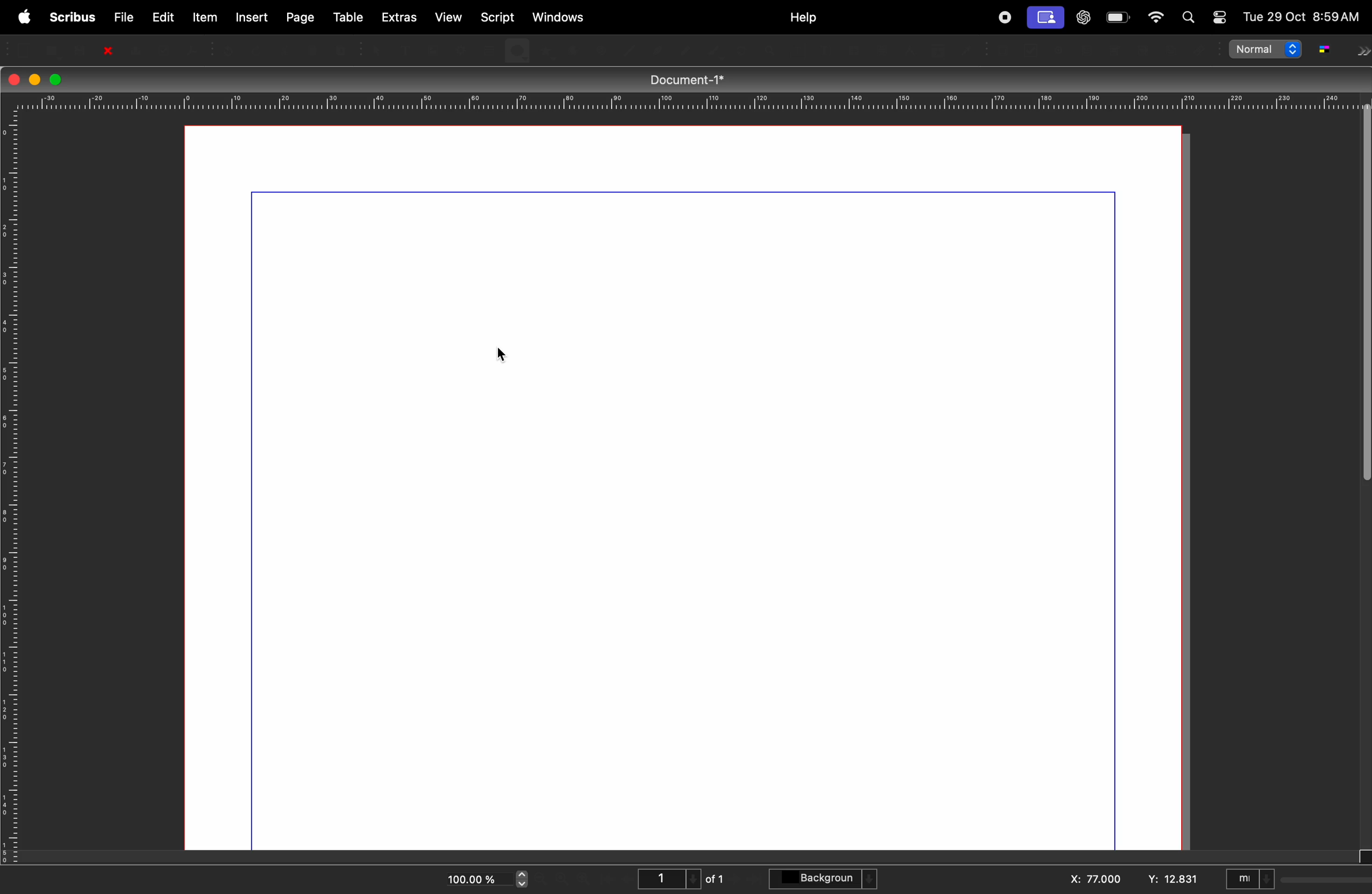  What do you see at coordinates (500, 16) in the screenshot?
I see `script` at bounding box center [500, 16].